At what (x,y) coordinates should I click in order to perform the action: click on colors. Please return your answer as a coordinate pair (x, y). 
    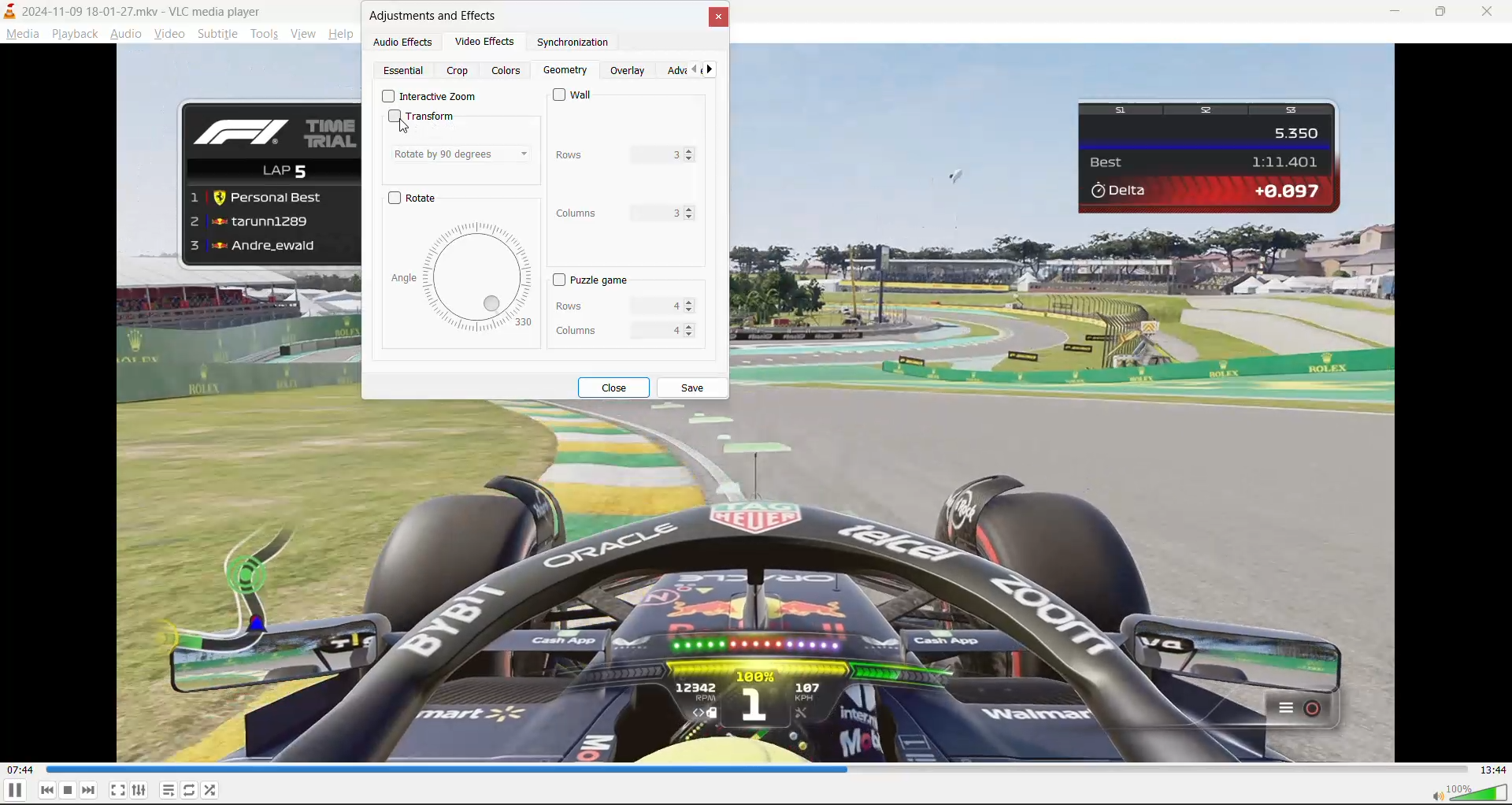
    Looking at the image, I should click on (508, 69).